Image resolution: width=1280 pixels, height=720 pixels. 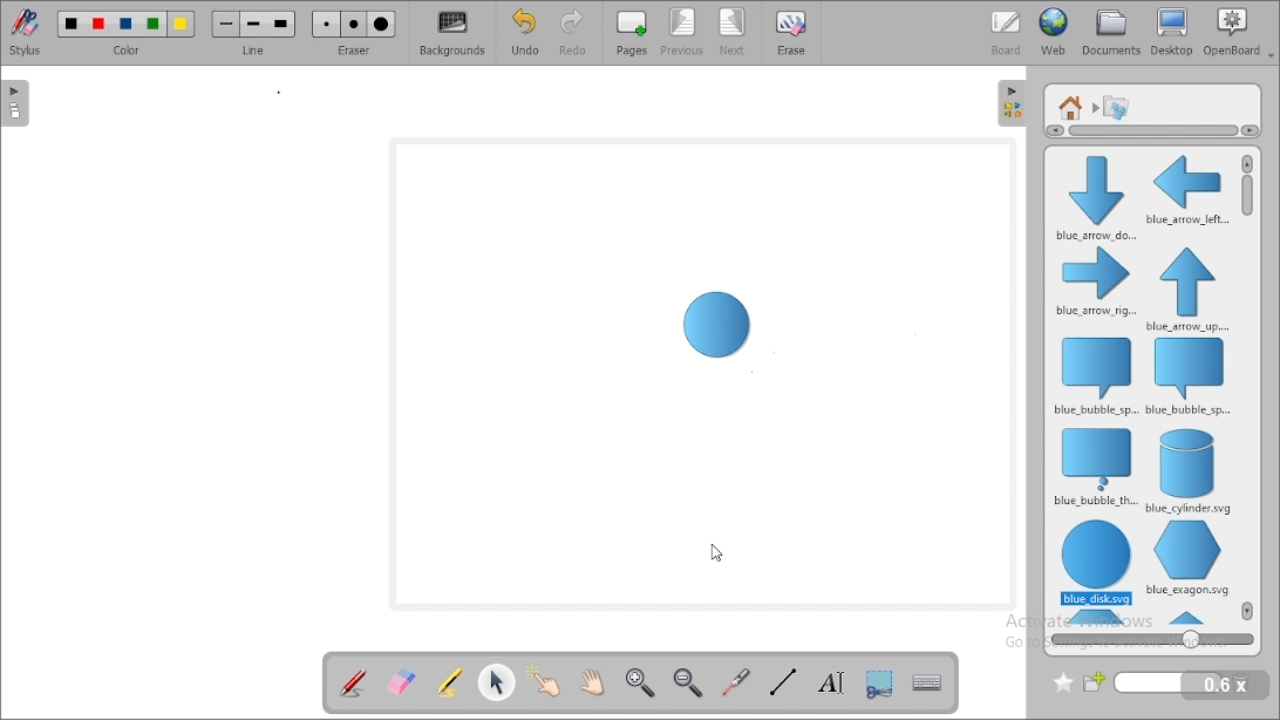 I want to click on blue disk/circle, so click(x=1095, y=563).